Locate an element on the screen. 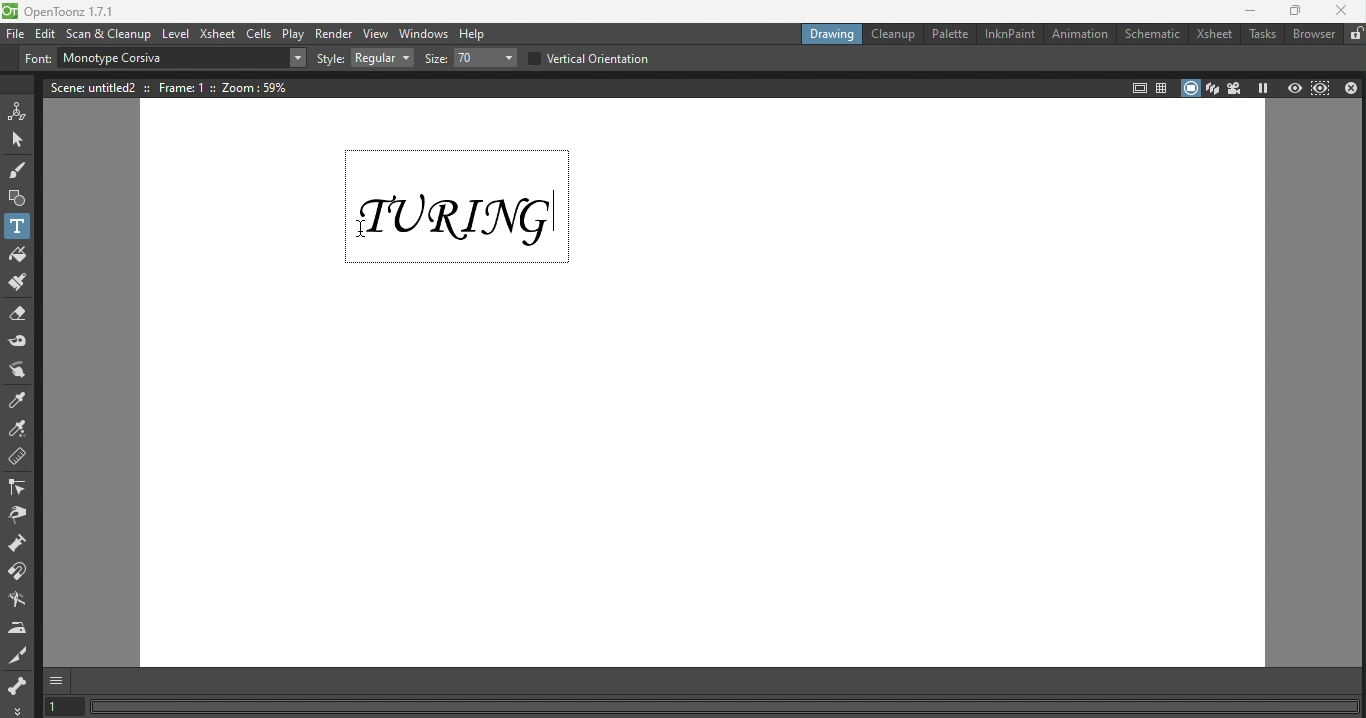 The image size is (1366, 718). Selection tool is located at coordinates (18, 142).